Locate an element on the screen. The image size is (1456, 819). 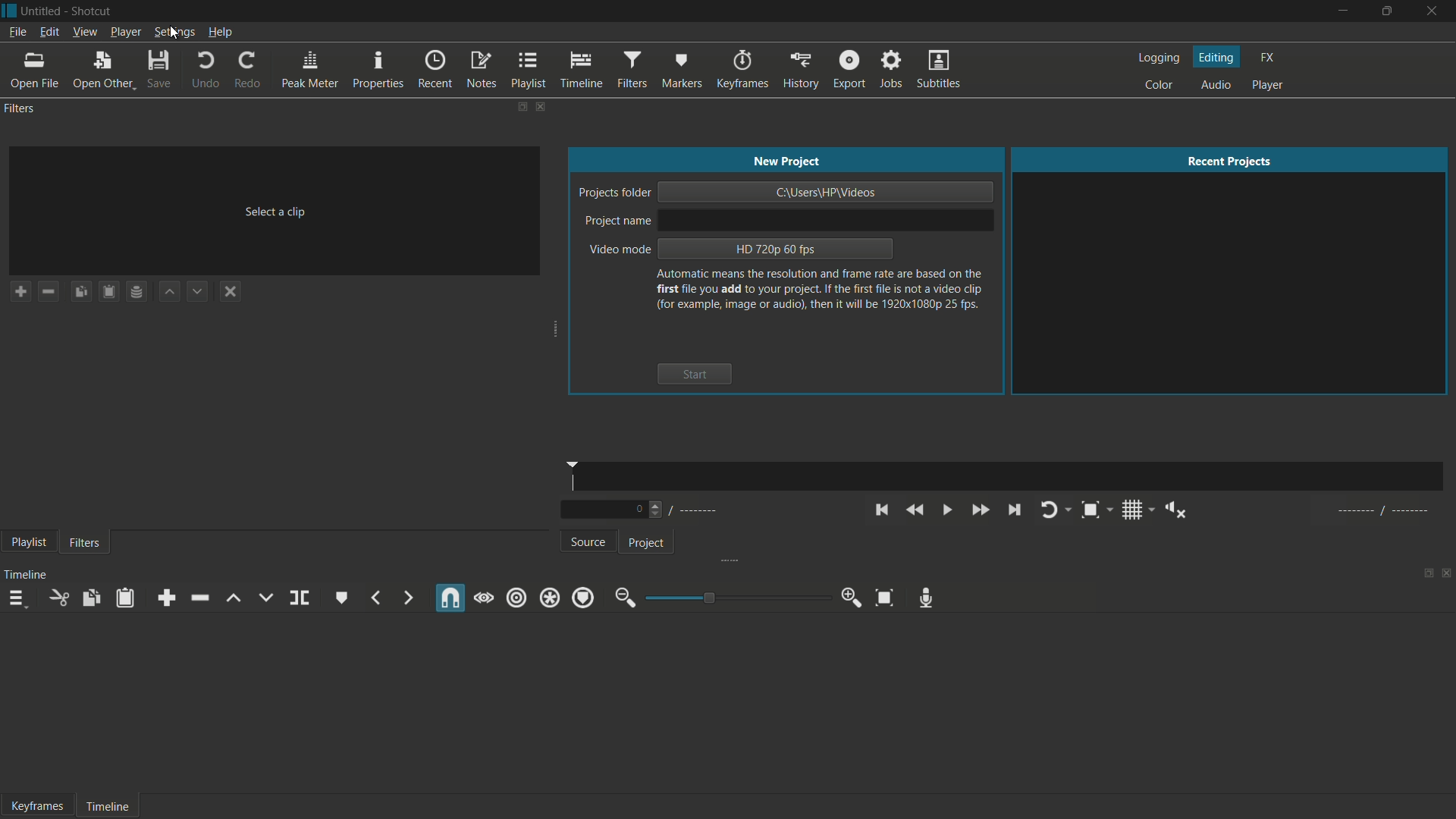
ripple markers is located at coordinates (584, 598).